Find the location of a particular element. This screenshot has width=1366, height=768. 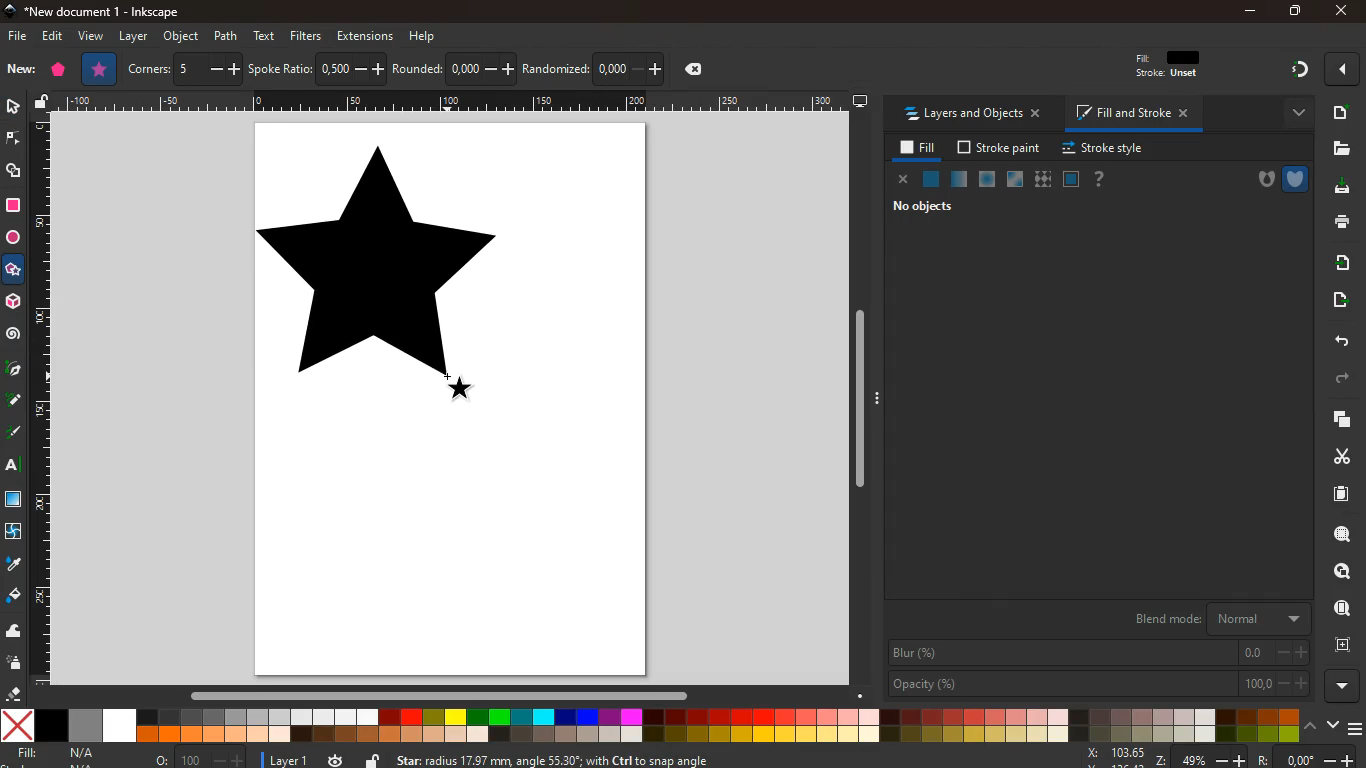

find is located at coordinates (1338, 608).